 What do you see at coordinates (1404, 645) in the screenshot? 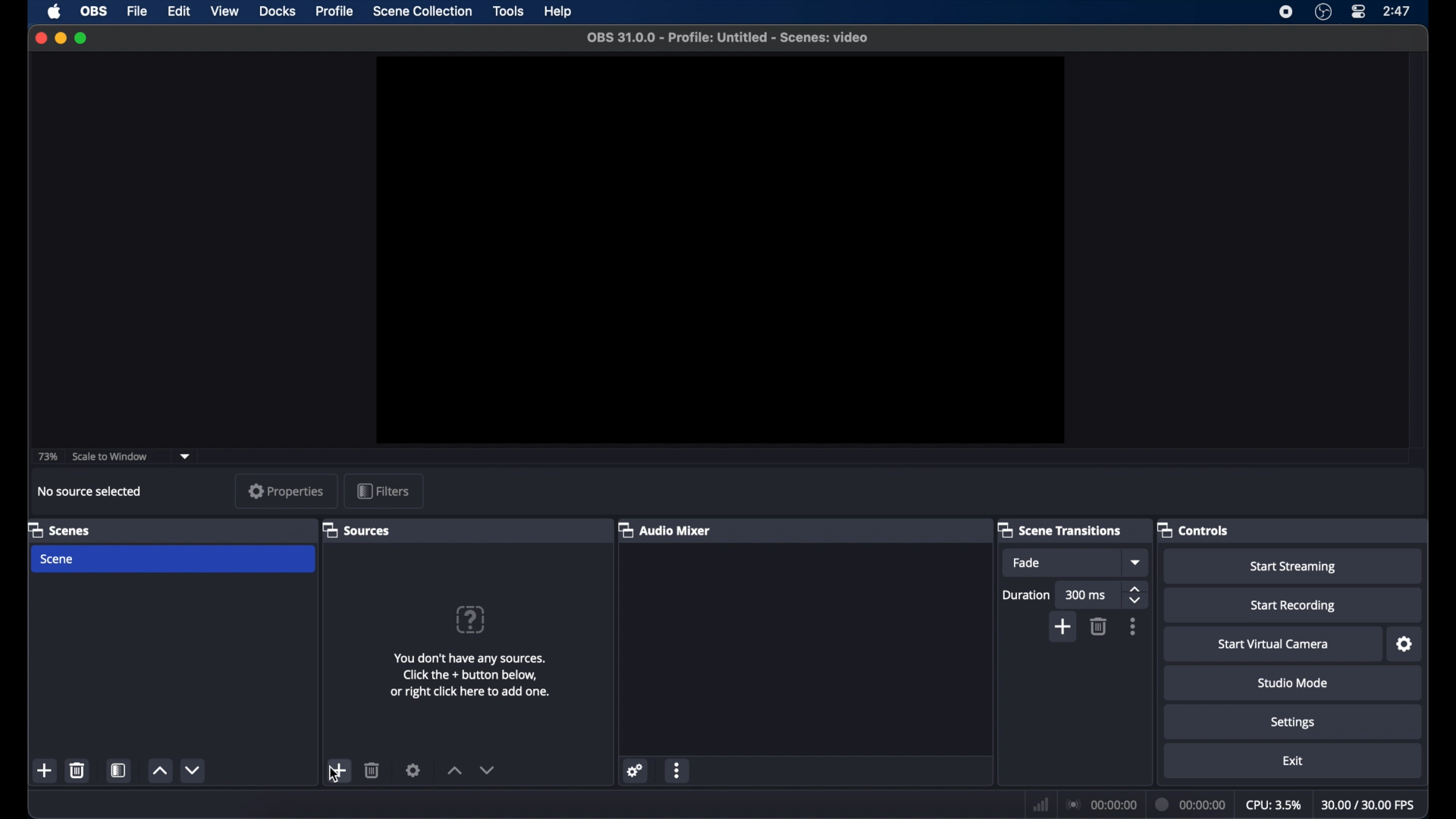
I see `settings` at bounding box center [1404, 645].